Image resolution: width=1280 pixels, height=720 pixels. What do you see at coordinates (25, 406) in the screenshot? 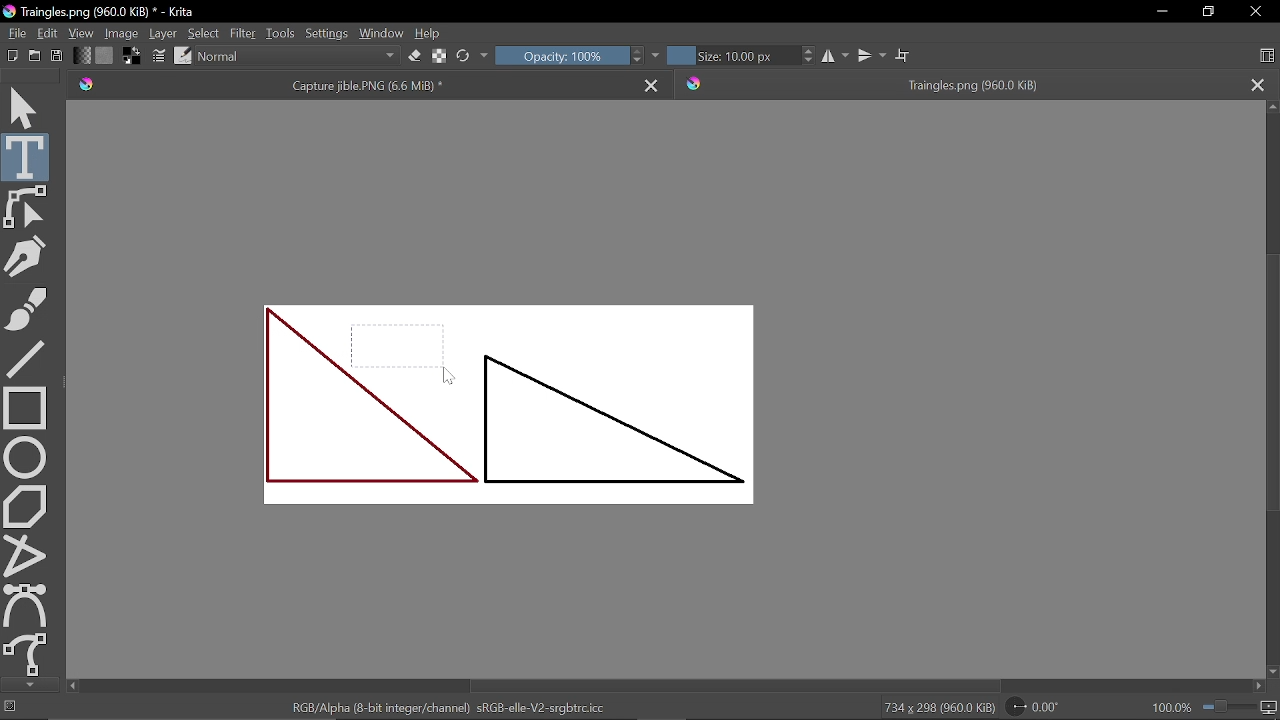
I see `Rectangle tool` at bounding box center [25, 406].